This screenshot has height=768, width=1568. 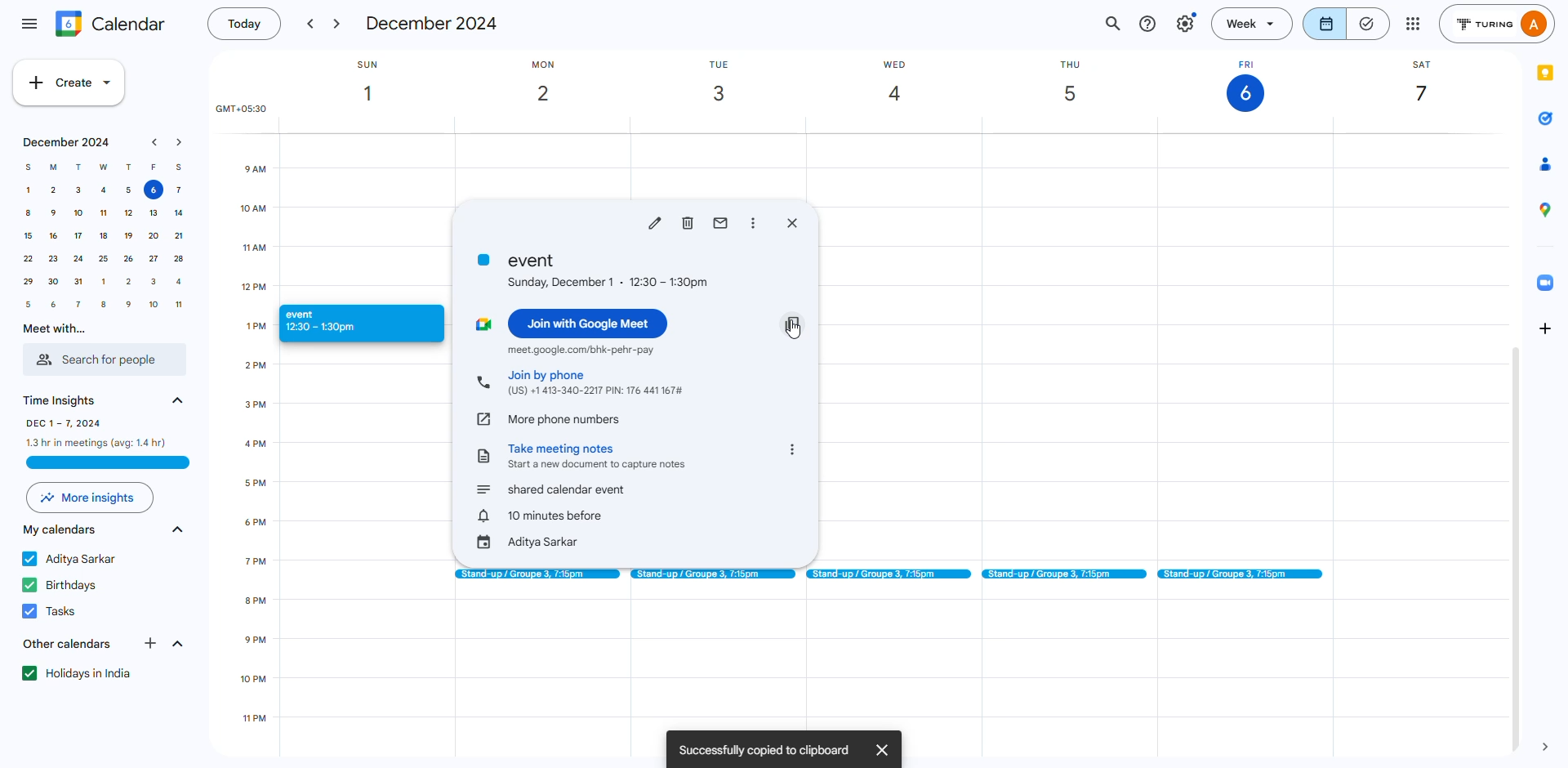 What do you see at coordinates (70, 83) in the screenshot?
I see `create` at bounding box center [70, 83].